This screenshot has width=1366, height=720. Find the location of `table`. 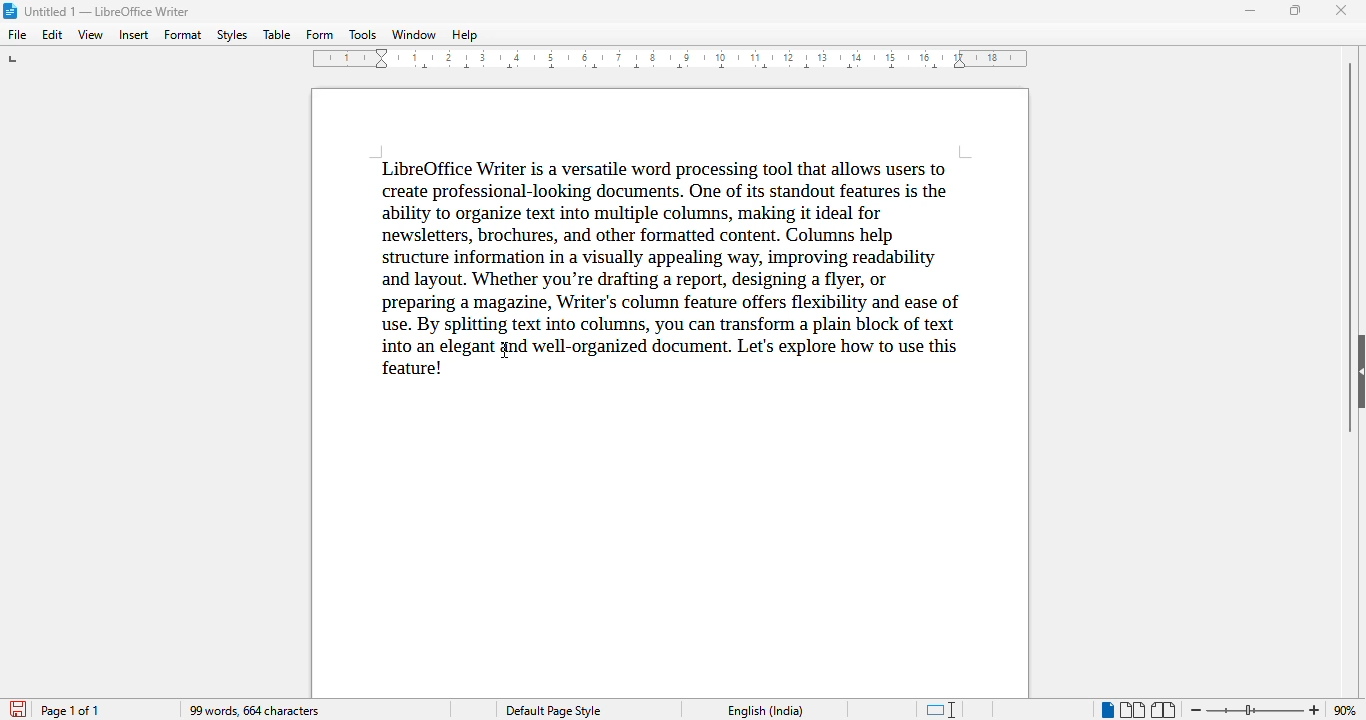

table is located at coordinates (277, 34).